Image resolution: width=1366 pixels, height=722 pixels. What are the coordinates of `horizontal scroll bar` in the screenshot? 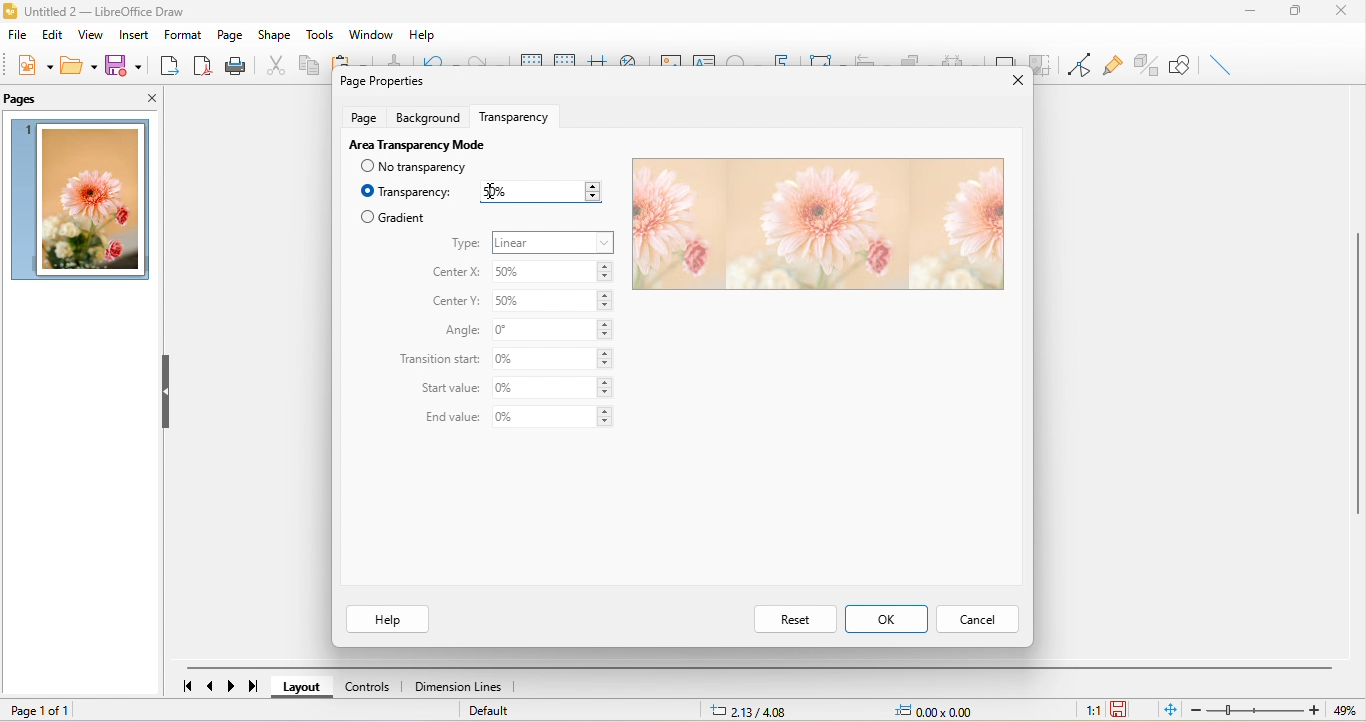 It's located at (759, 668).